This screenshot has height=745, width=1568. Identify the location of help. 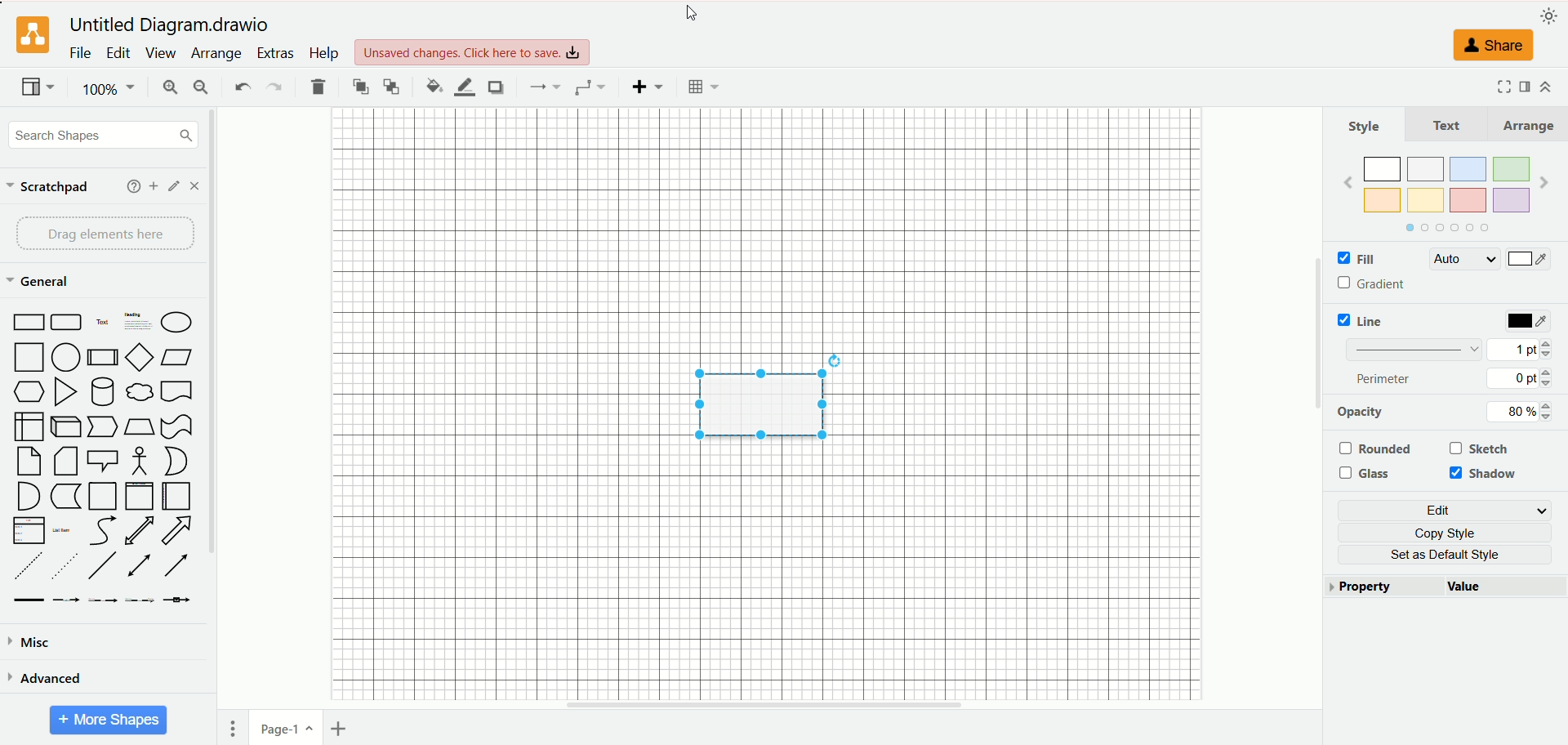
(134, 186).